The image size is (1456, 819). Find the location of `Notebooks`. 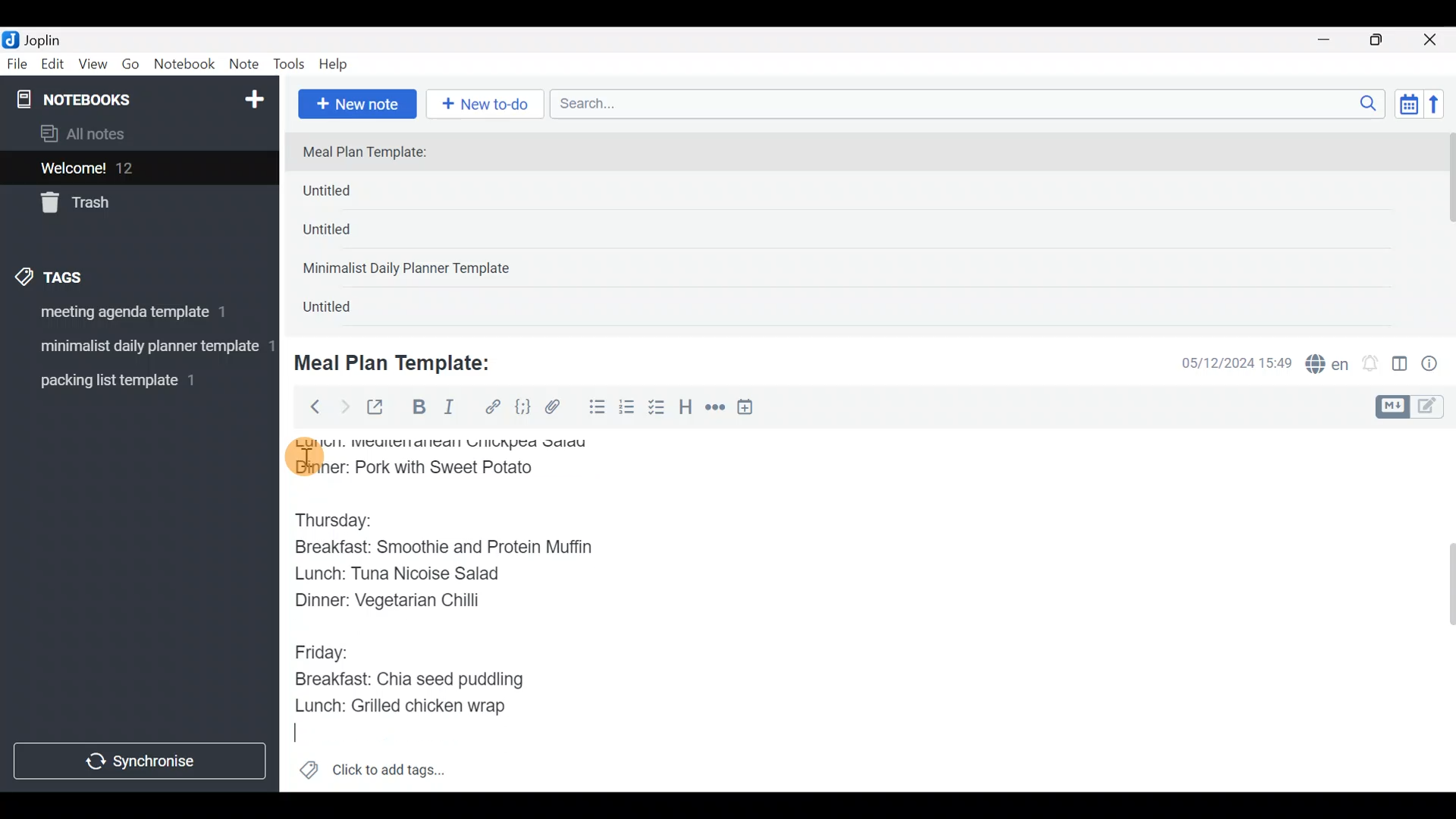

Notebooks is located at coordinates (107, 99).